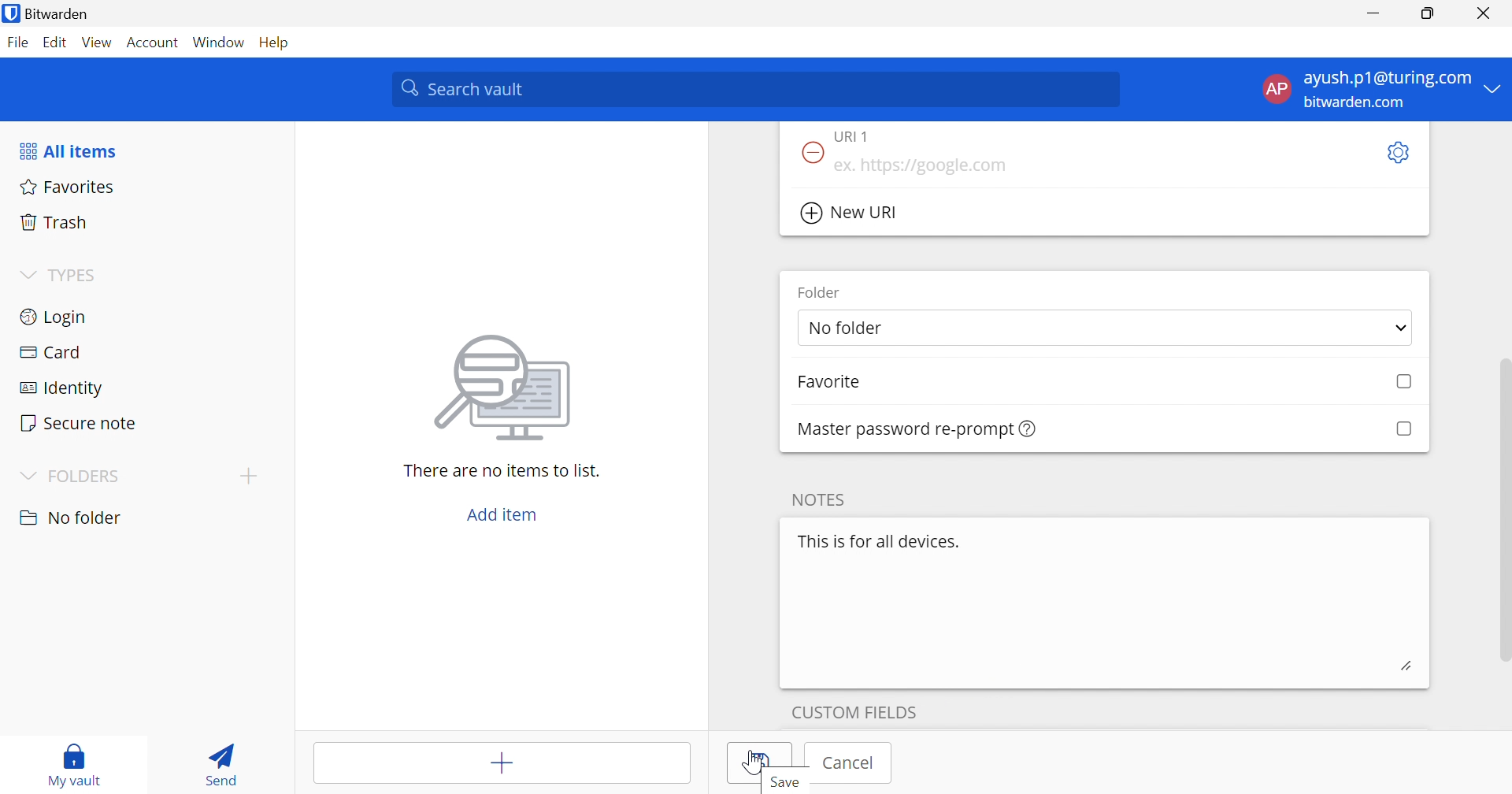 This screenshot has height=794, width=1512. I want to click on bitwarden.com, so click(1358, 103).